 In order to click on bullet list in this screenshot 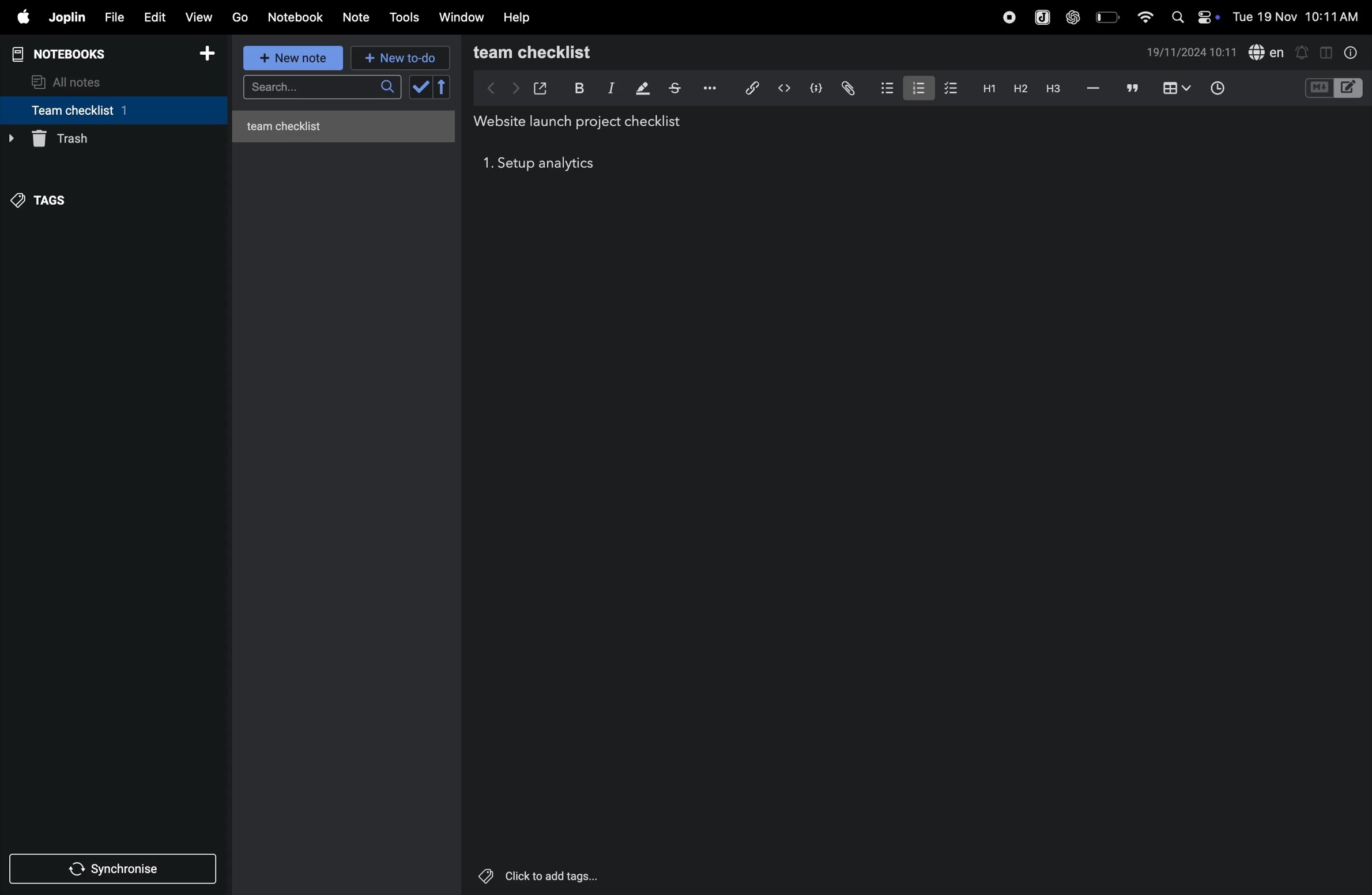, I will do `click(884, 88)`.